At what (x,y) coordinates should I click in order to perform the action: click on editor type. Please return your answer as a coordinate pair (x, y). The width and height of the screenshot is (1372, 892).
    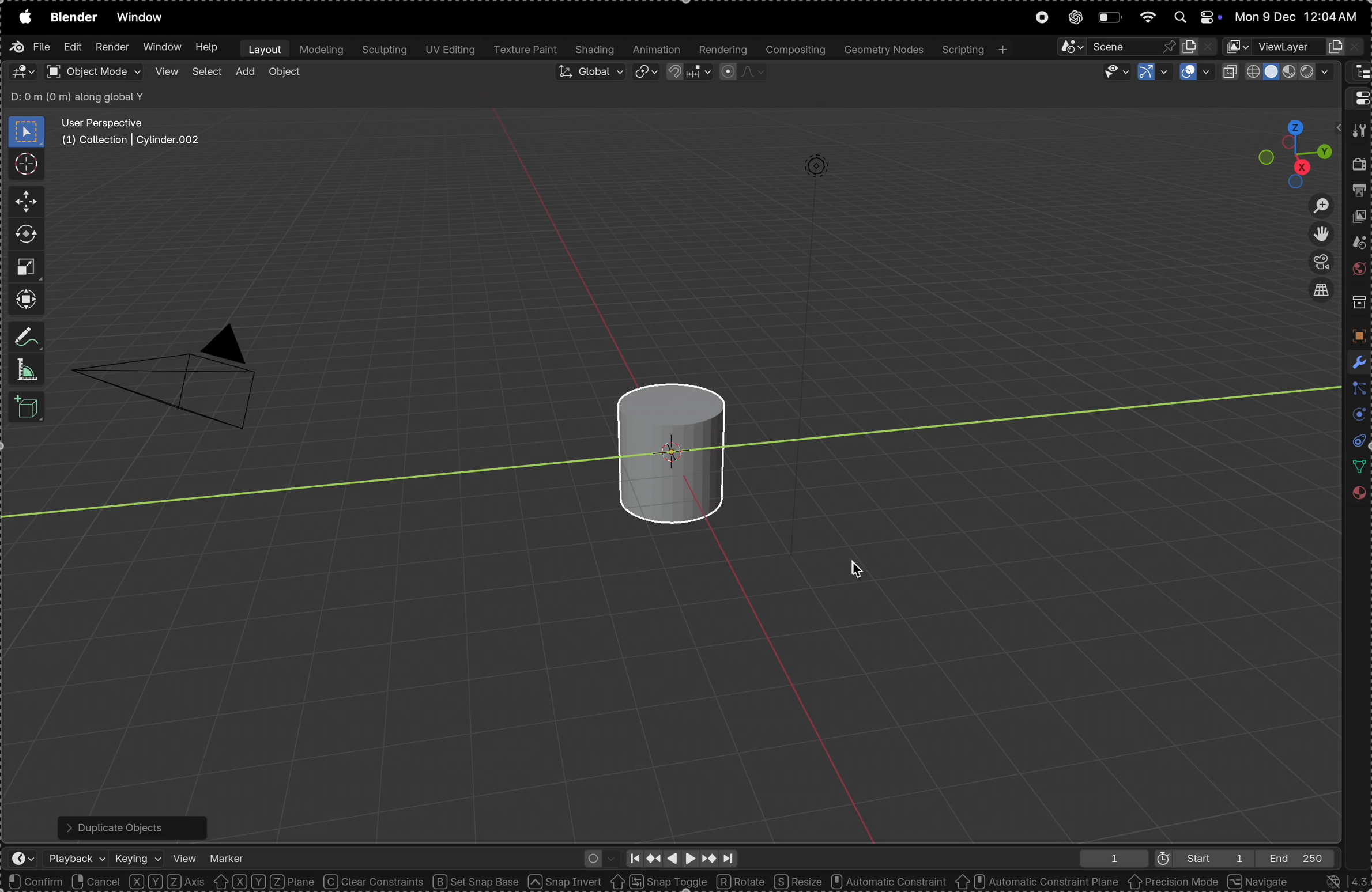
    Looking at the image, I should click on (1358, 97).